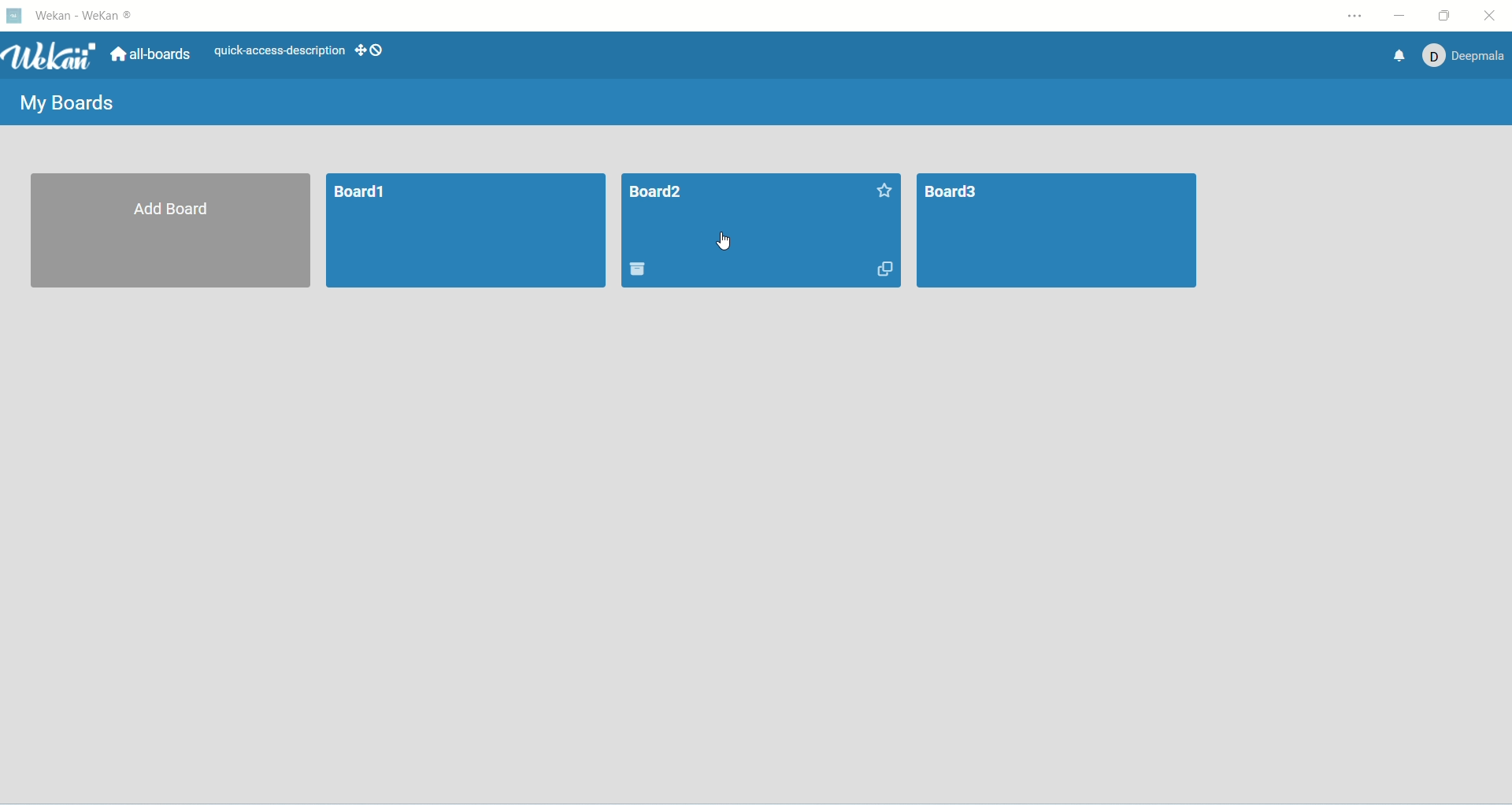 The height and width of the screenshot is (805, 1512). Describe the element at coordinates (280, 51) in the screenshot. I see `text` at that location.